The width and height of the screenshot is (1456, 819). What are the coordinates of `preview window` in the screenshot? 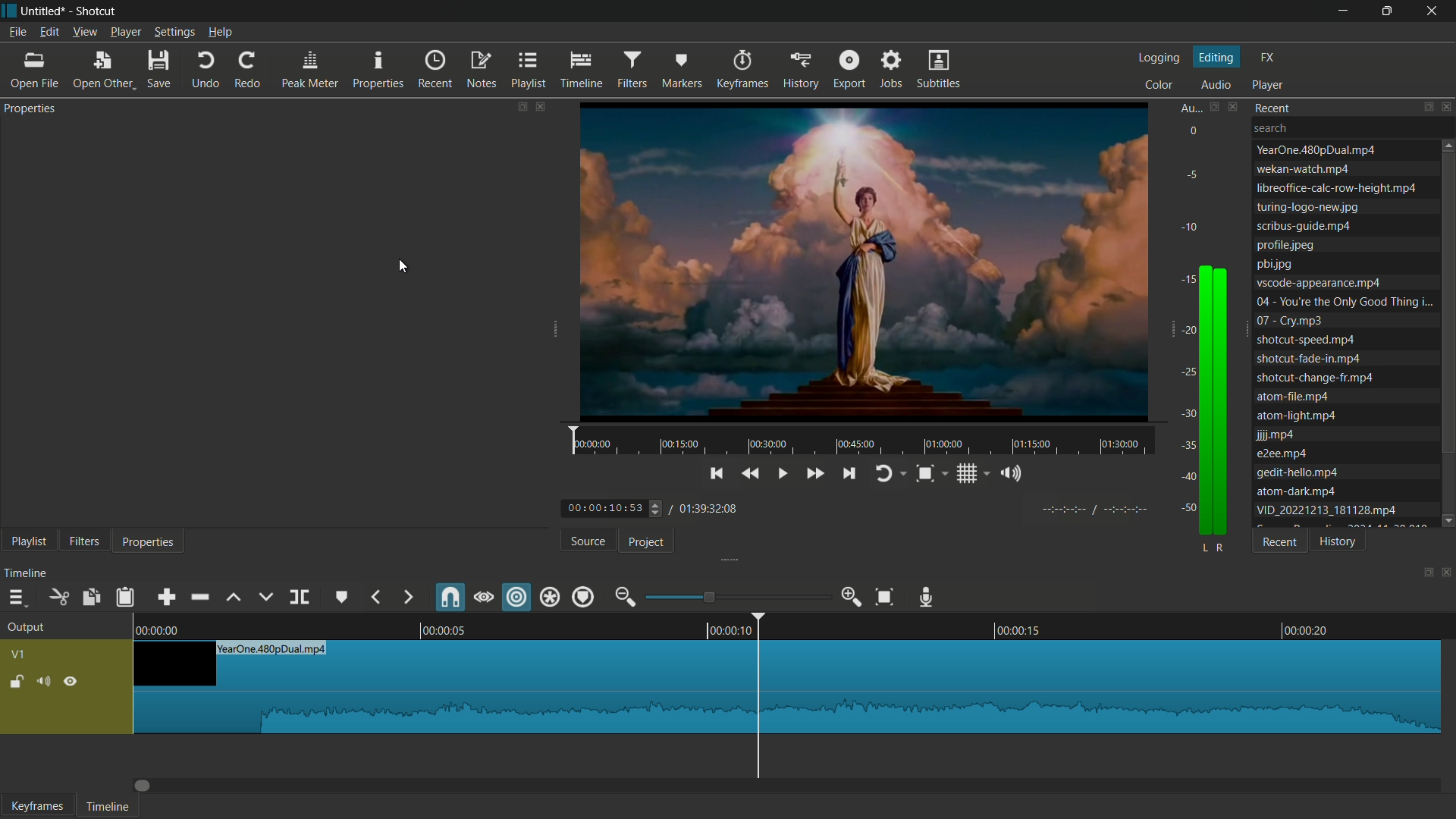 It's located at (863, 278).